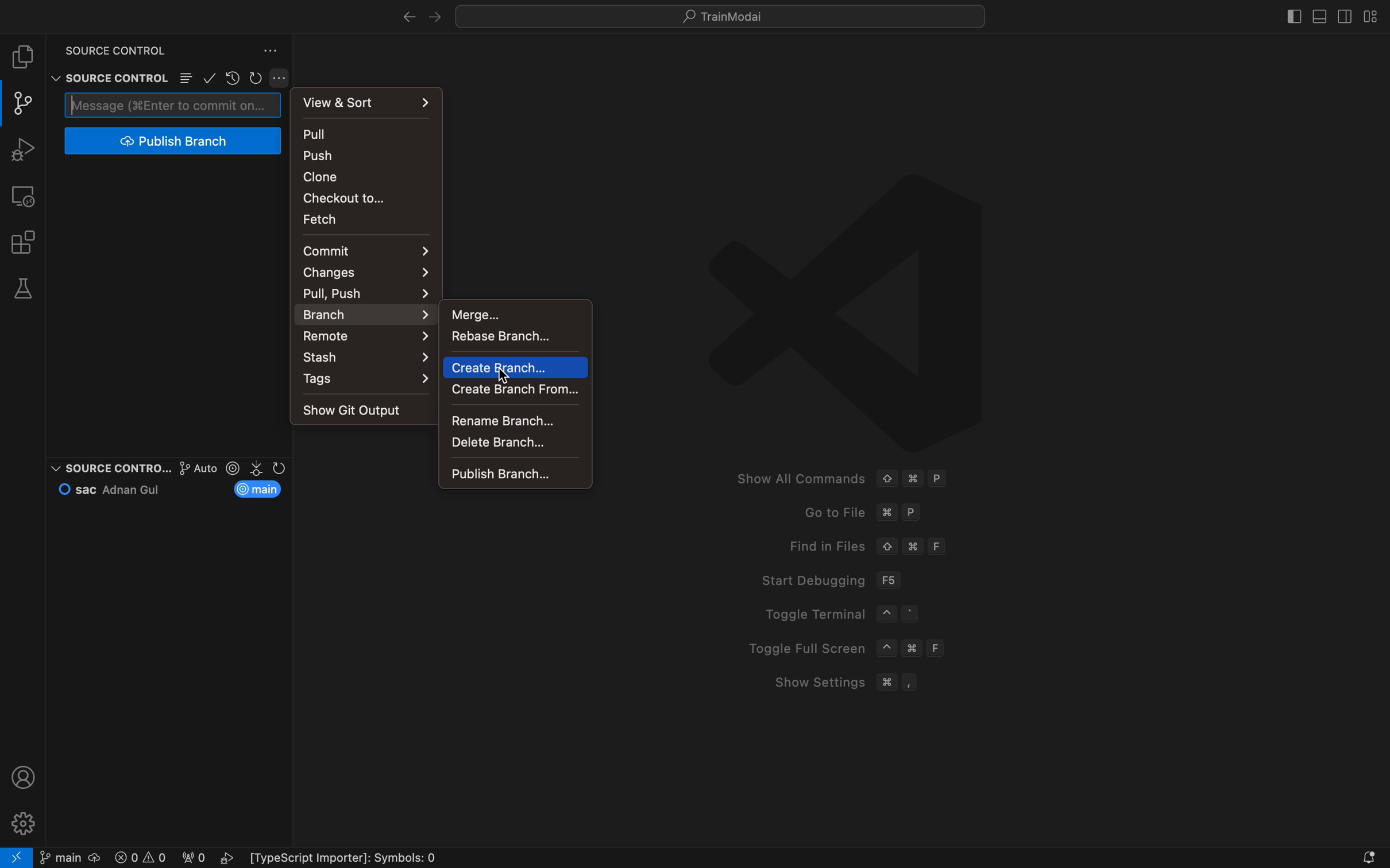 Image resolution: width=1390 pixels, height=868 pixels. I want to click on toggle primary bar, so click(1321, 15).